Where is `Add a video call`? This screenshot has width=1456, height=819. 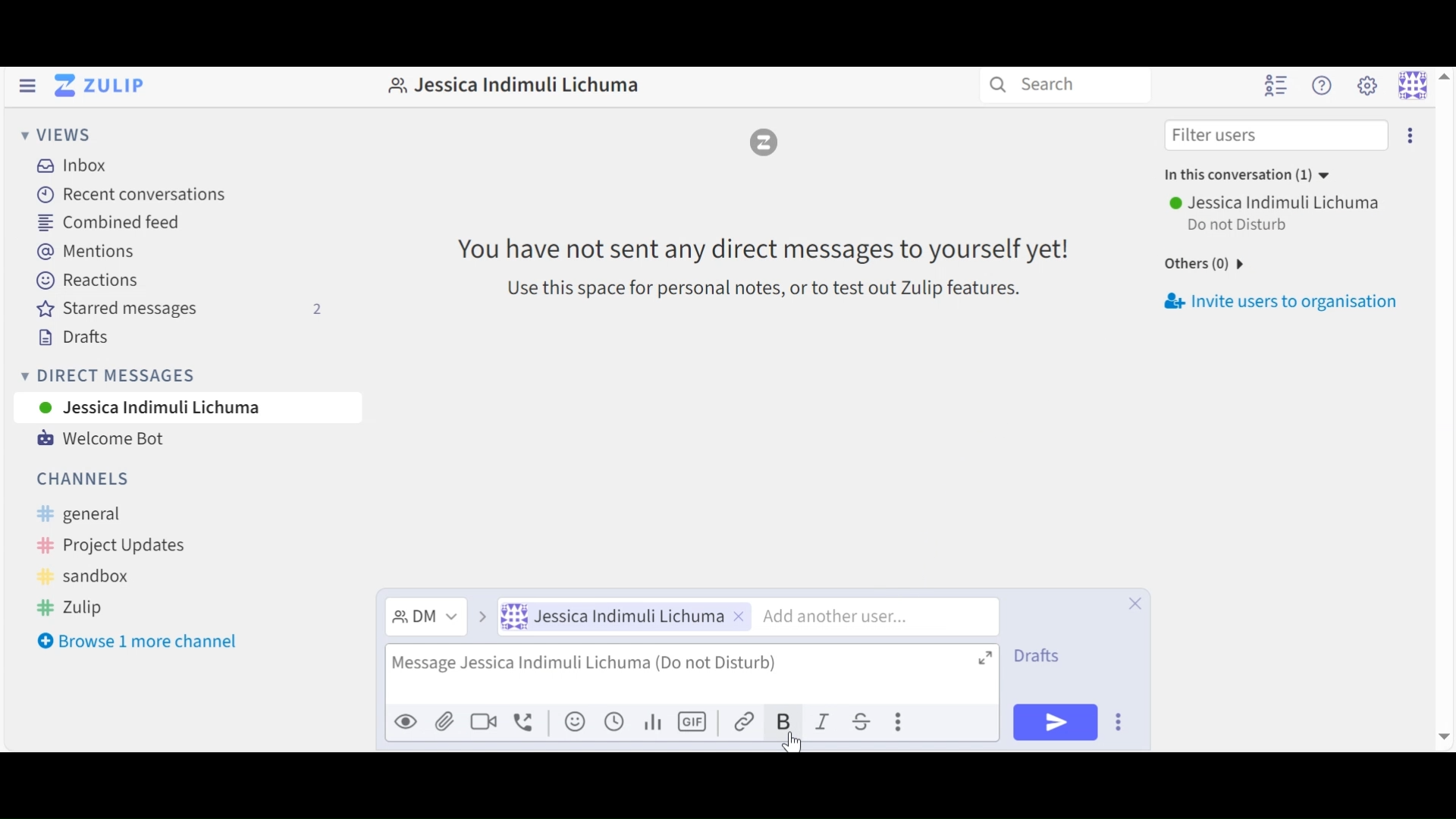 Add a video call is located at coordinates (483, 720).